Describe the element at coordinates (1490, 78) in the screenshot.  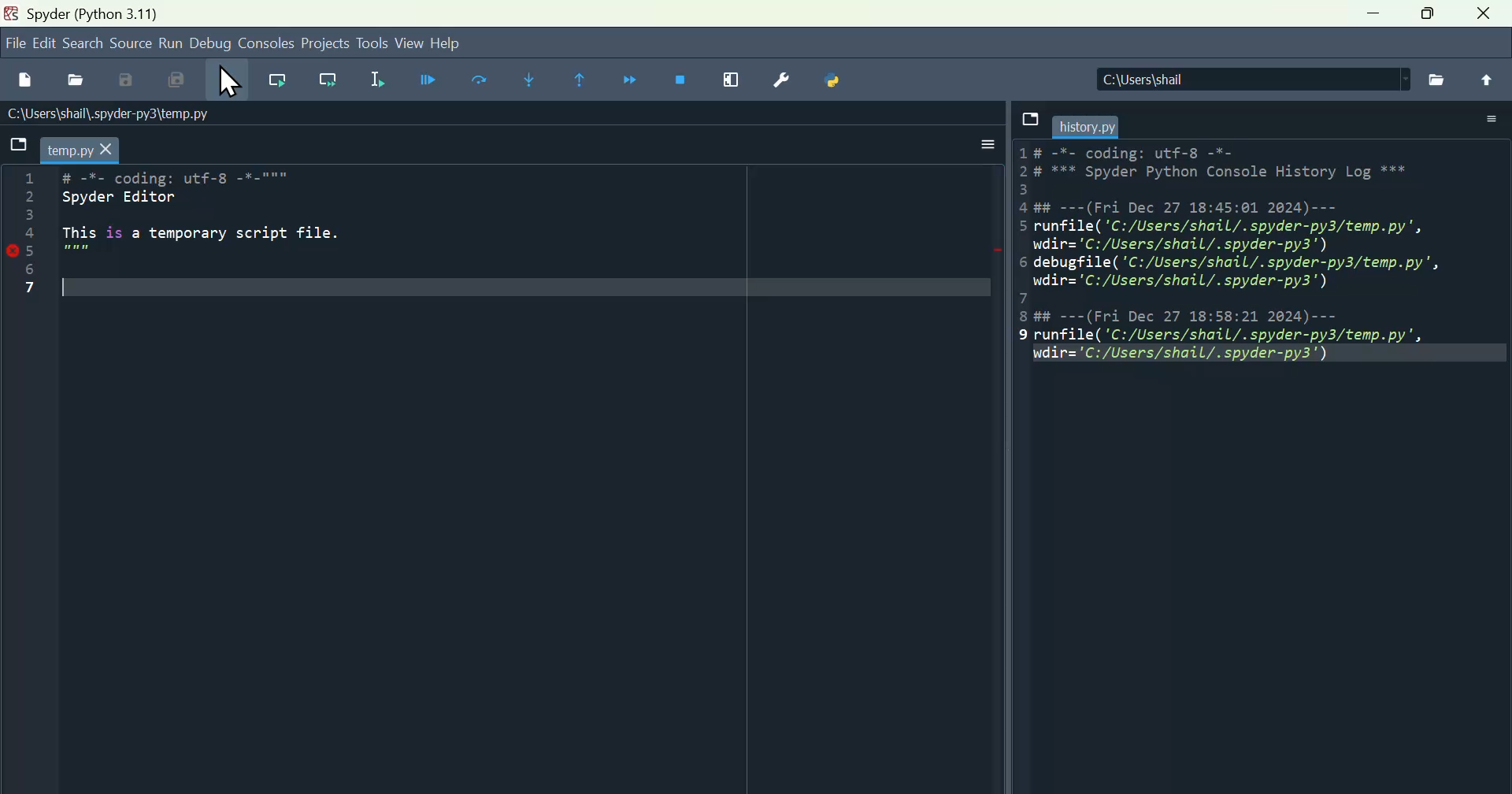
I see `File upload` at that location.